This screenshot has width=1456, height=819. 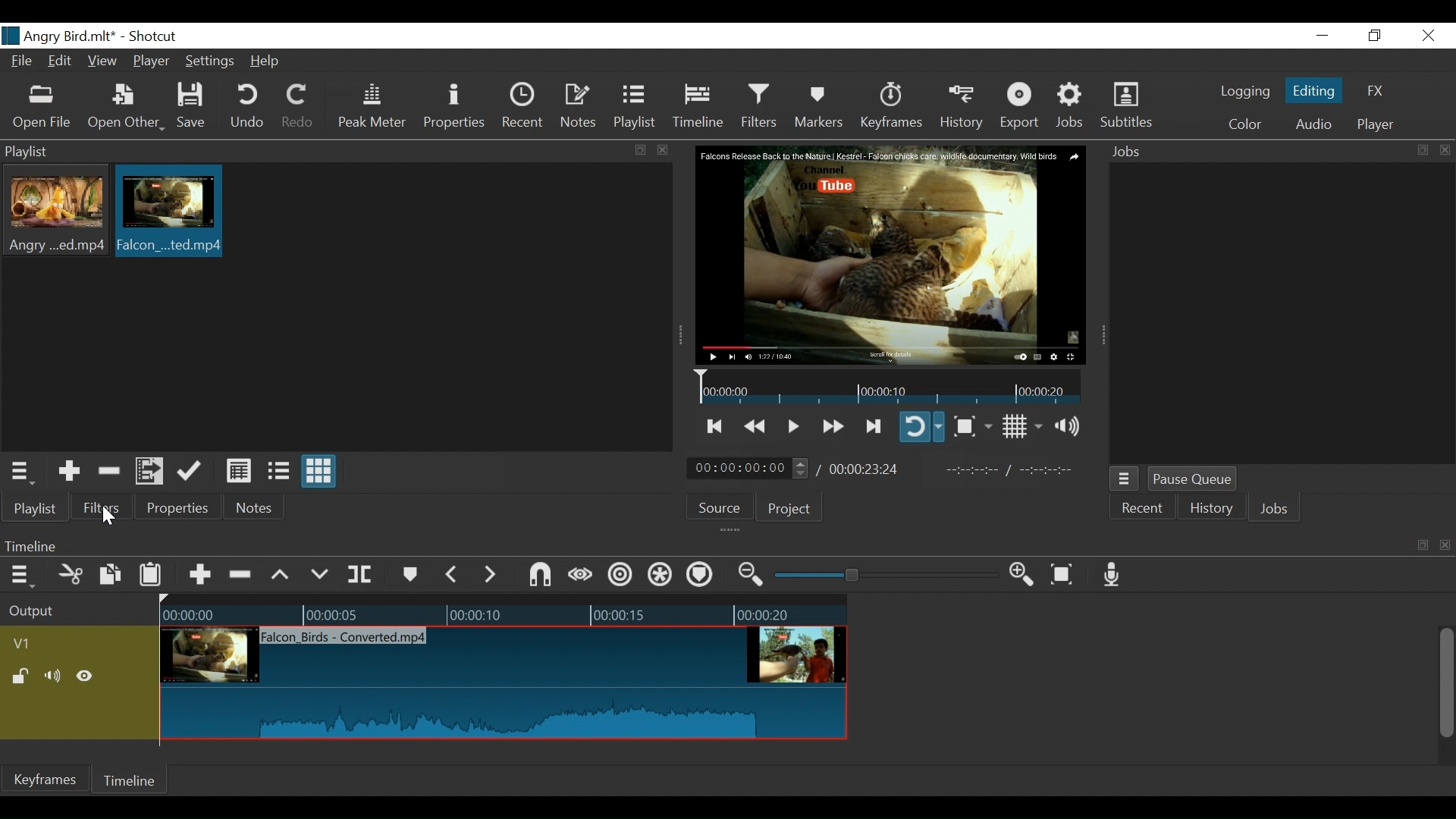 What do you see at coordinates (55, 677) in the screenshot?
I see `Mute` at bounding box center [55, 677].